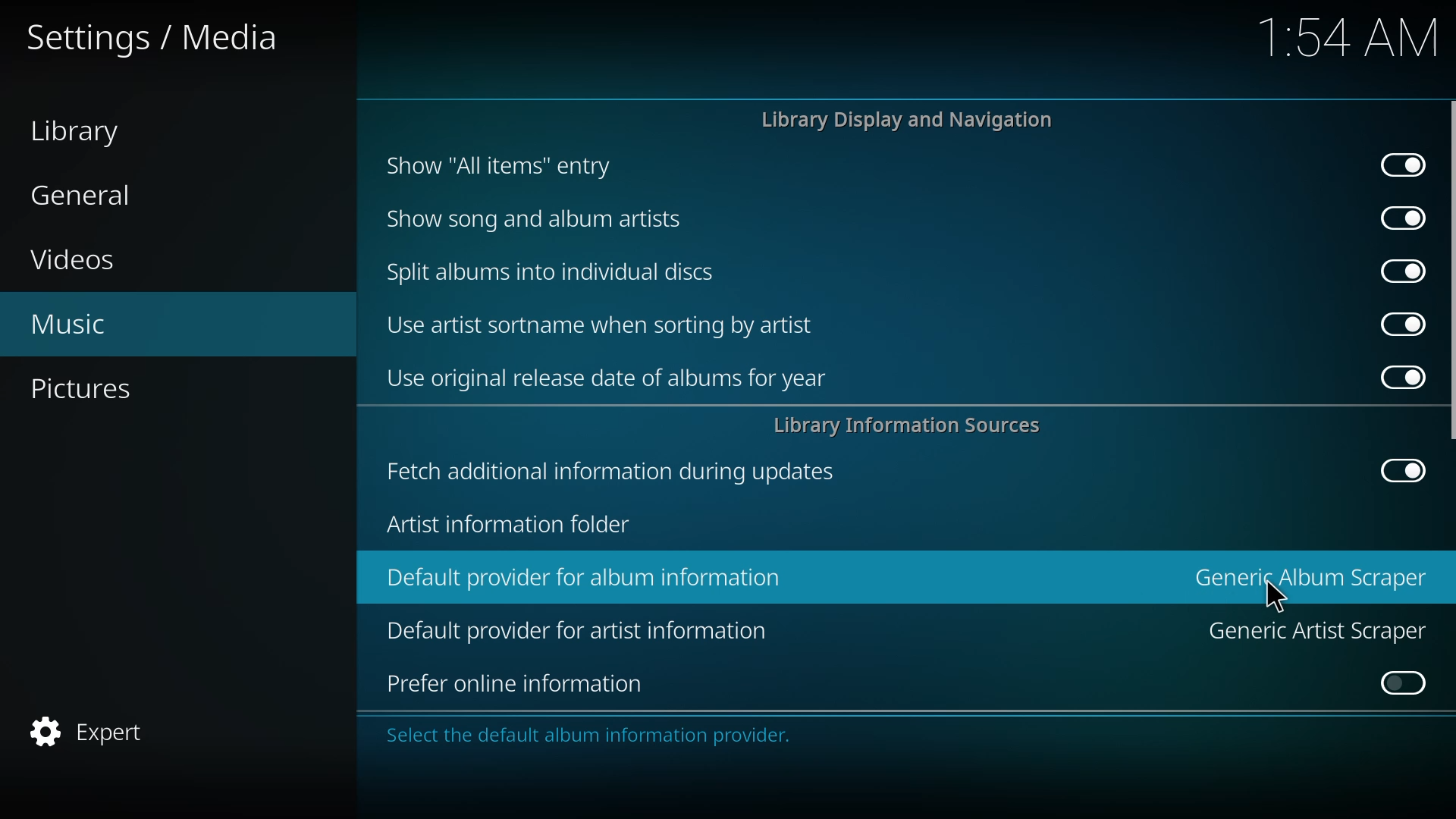 Image resolution: width=1456 pixels, height=819 pixels. Describe the element at coordinates (82, 325) in the screenshot. I see `music` at that location.